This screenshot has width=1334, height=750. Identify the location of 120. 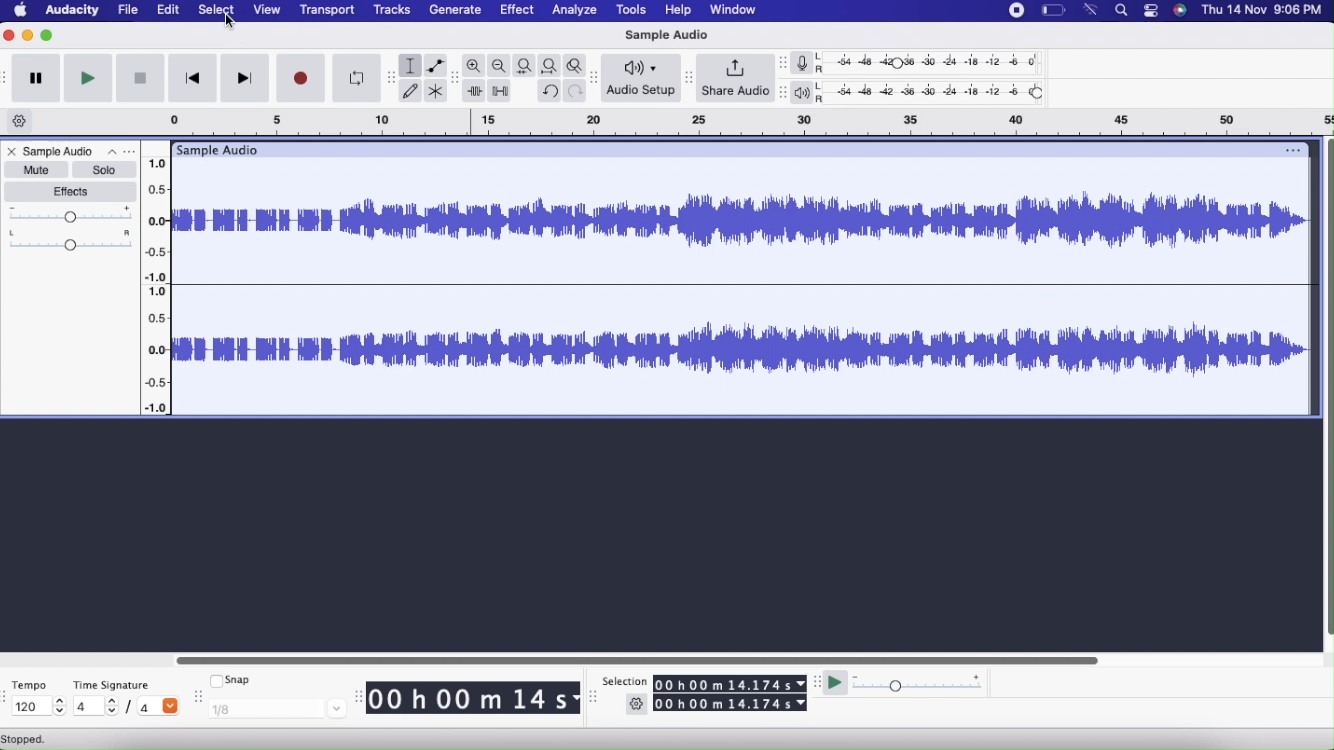
(40, 706).